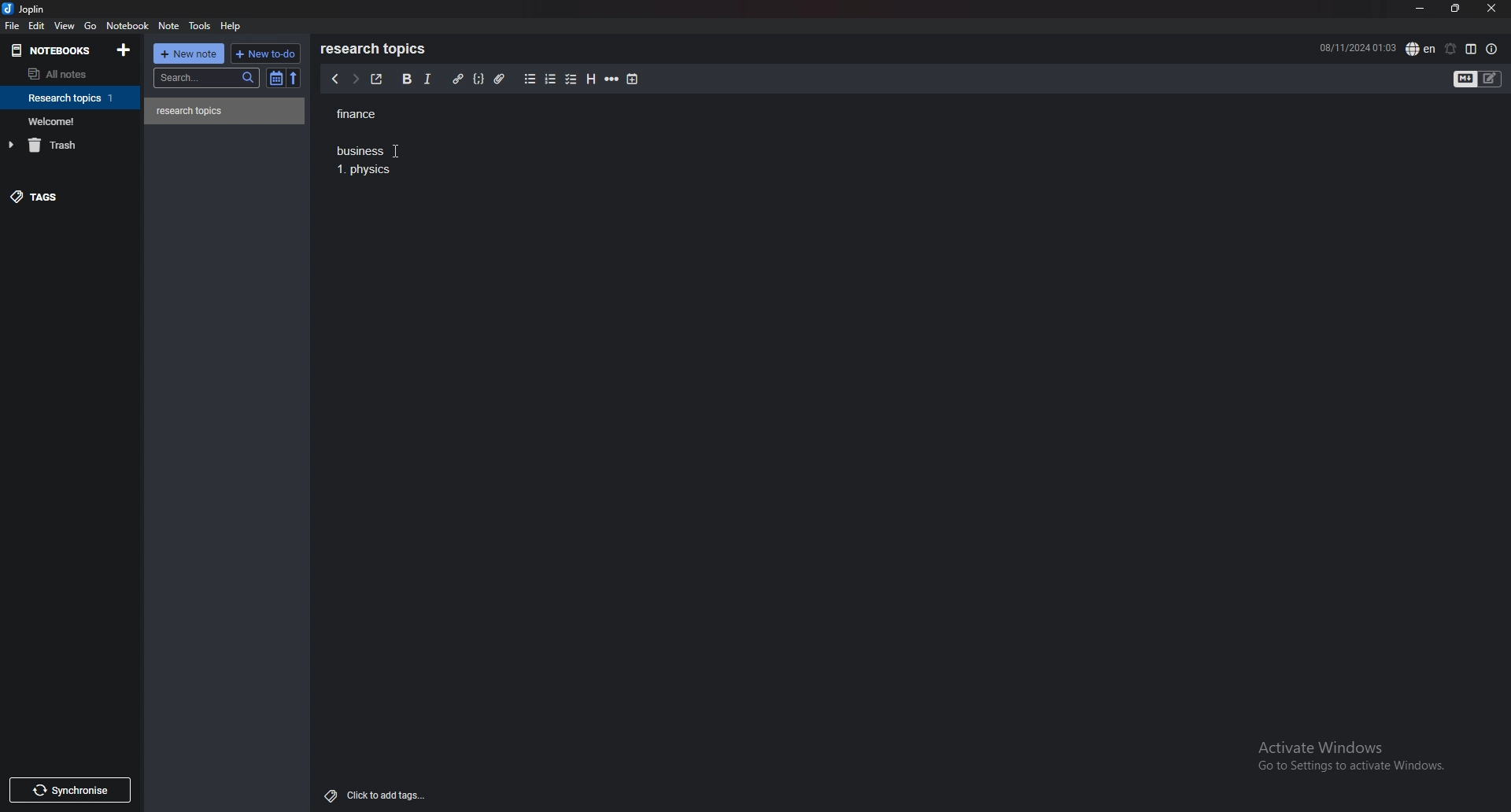 The width and height of the screenshot is (1511, 812). Describe the element at coordinates (457, 79) in the screenshot. I see `hyperlink` at that location.